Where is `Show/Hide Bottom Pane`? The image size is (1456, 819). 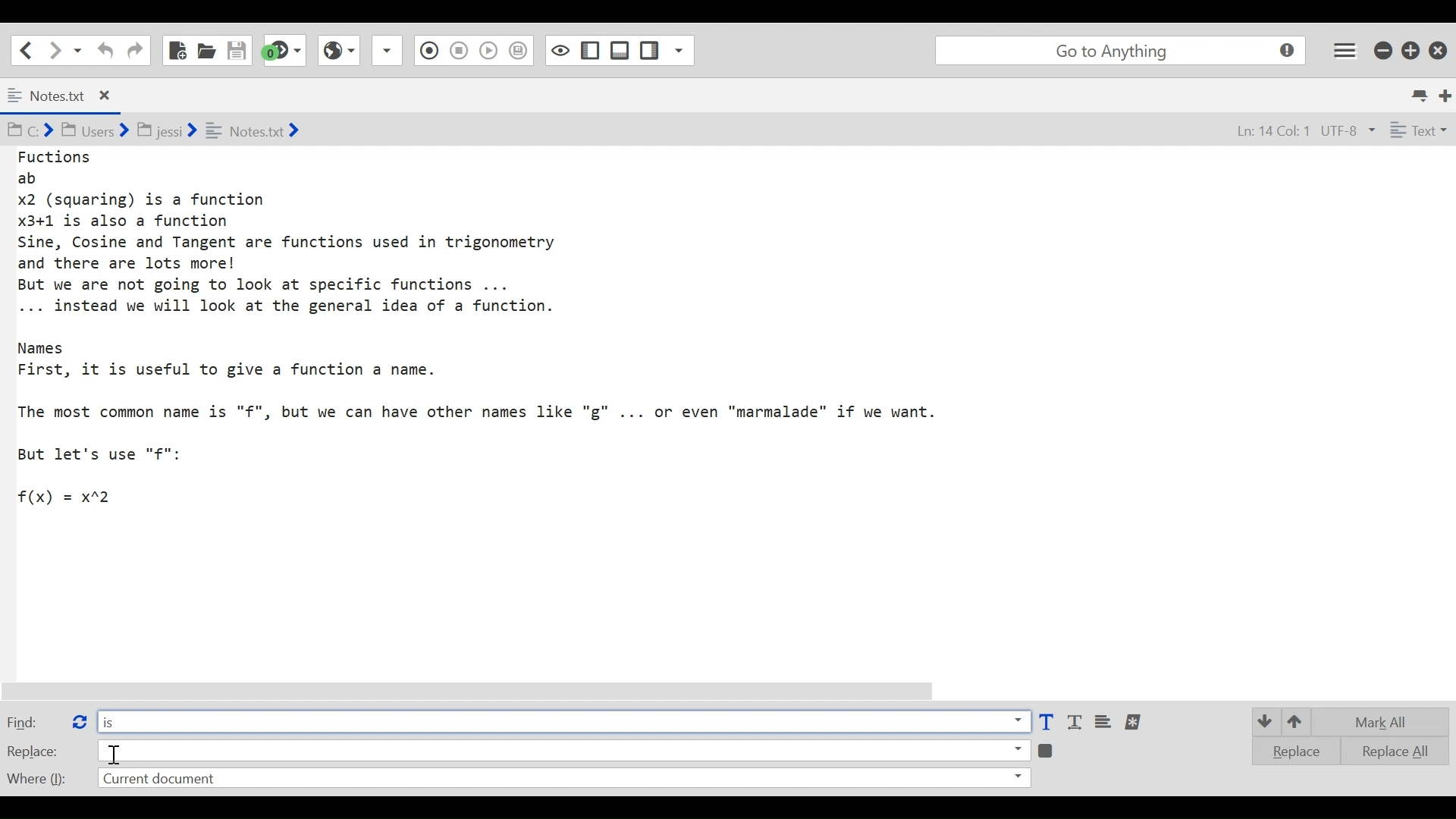
Show/Hide Bottom Pane is located at coordinates (591, 51).